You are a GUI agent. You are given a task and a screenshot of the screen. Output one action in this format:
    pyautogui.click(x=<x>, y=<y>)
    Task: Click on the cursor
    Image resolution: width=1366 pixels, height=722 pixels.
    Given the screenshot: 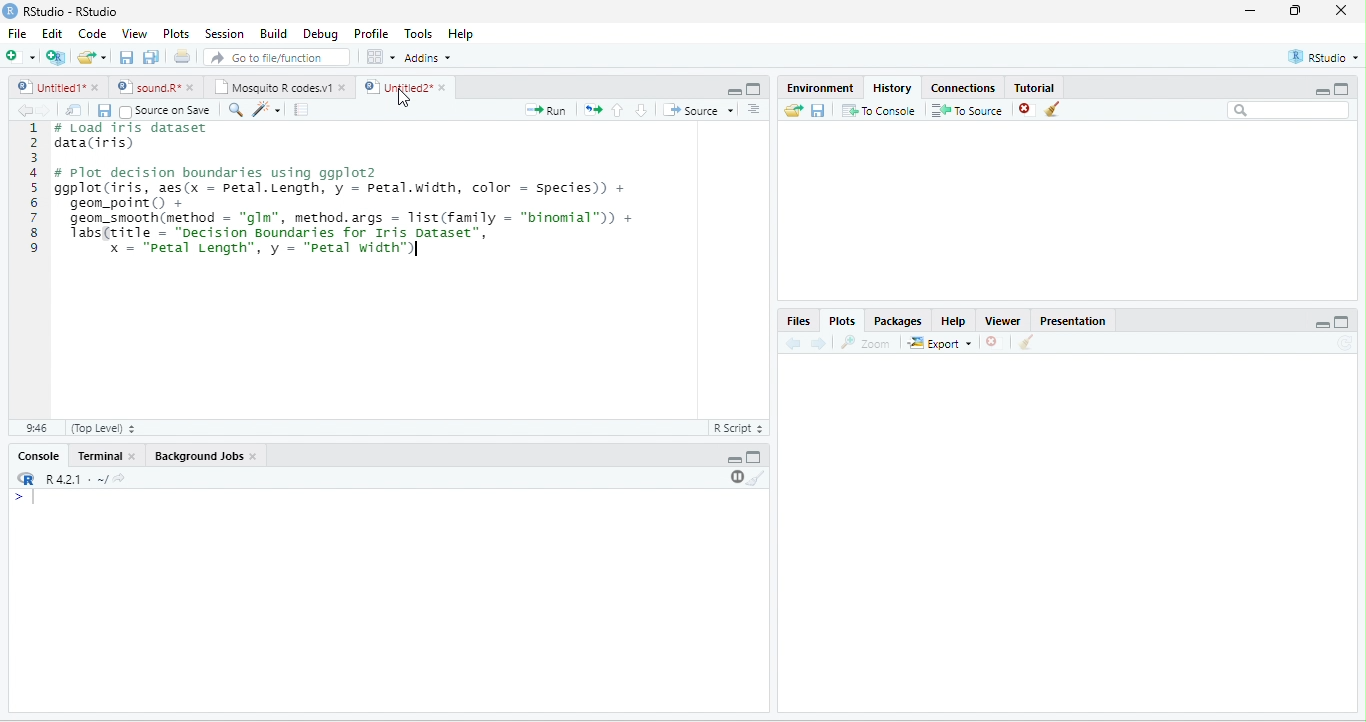 What is the action you would take?
    pyautogui.click(x=403, y=99)
    